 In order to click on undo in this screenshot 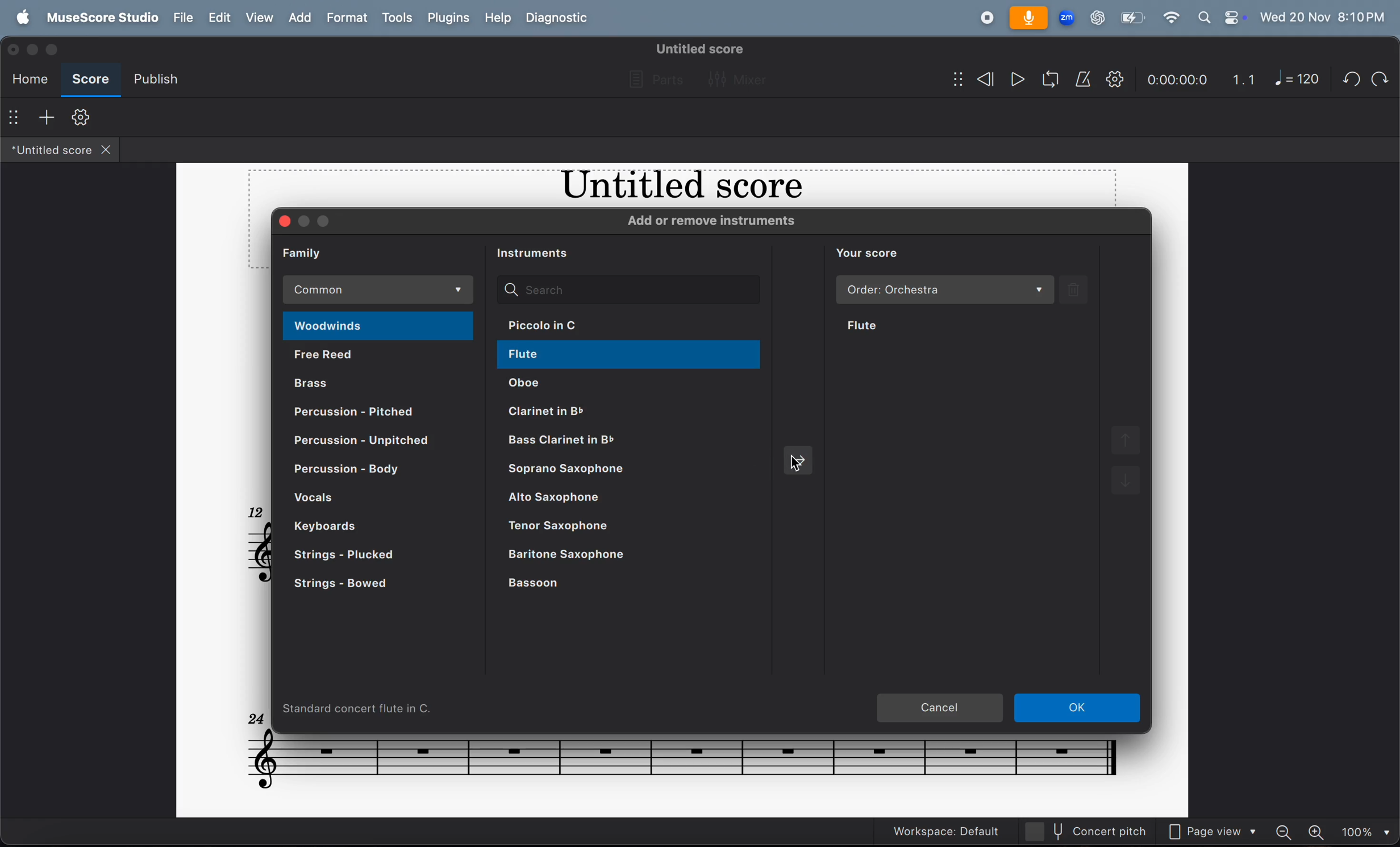, I will do `click(1349, 79)`.